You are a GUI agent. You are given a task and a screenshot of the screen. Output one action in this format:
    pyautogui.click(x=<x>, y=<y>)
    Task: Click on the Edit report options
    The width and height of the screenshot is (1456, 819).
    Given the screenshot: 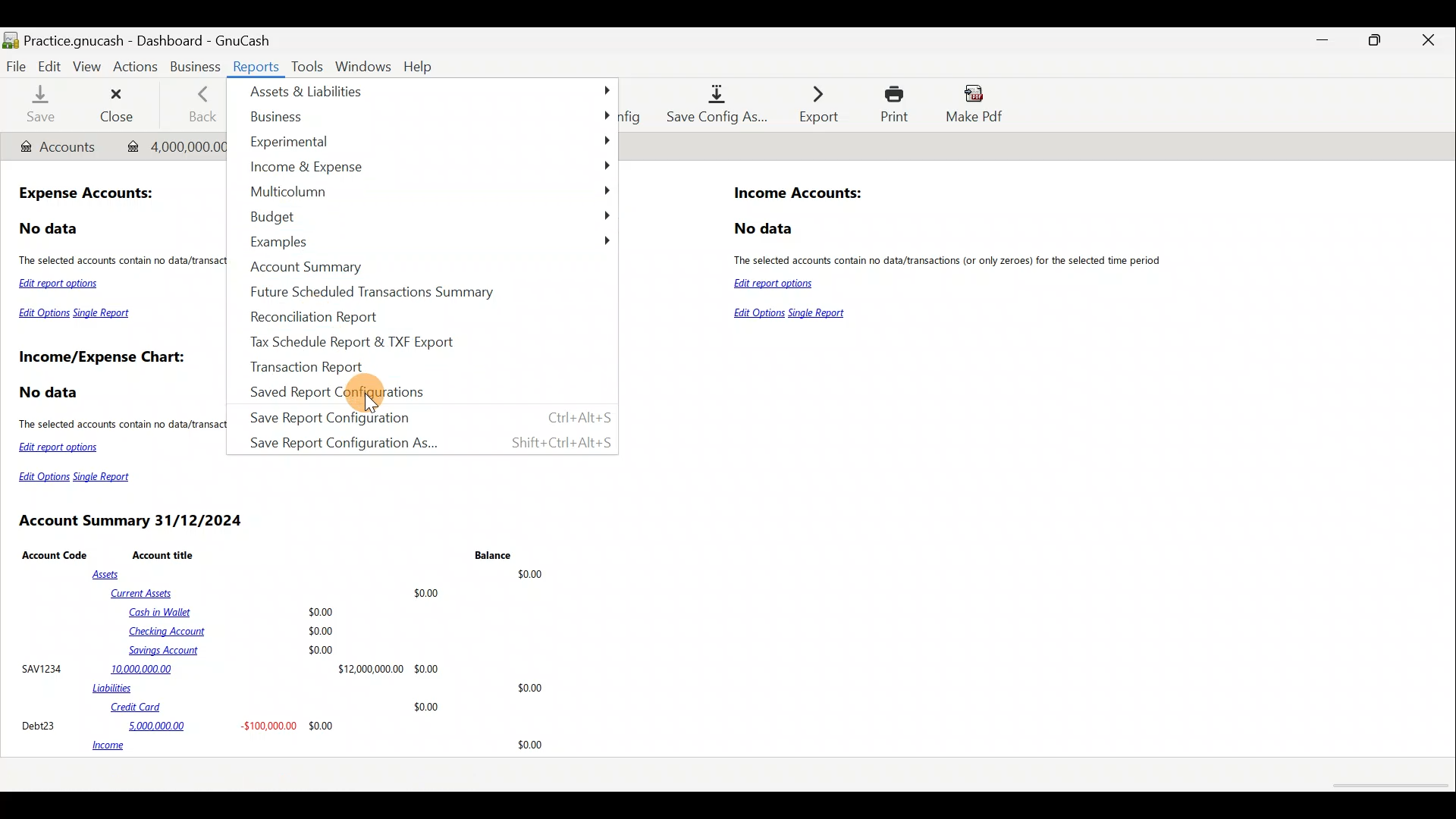 What is the action you would take?
    pyautogui.click(x=61, y=447)
    